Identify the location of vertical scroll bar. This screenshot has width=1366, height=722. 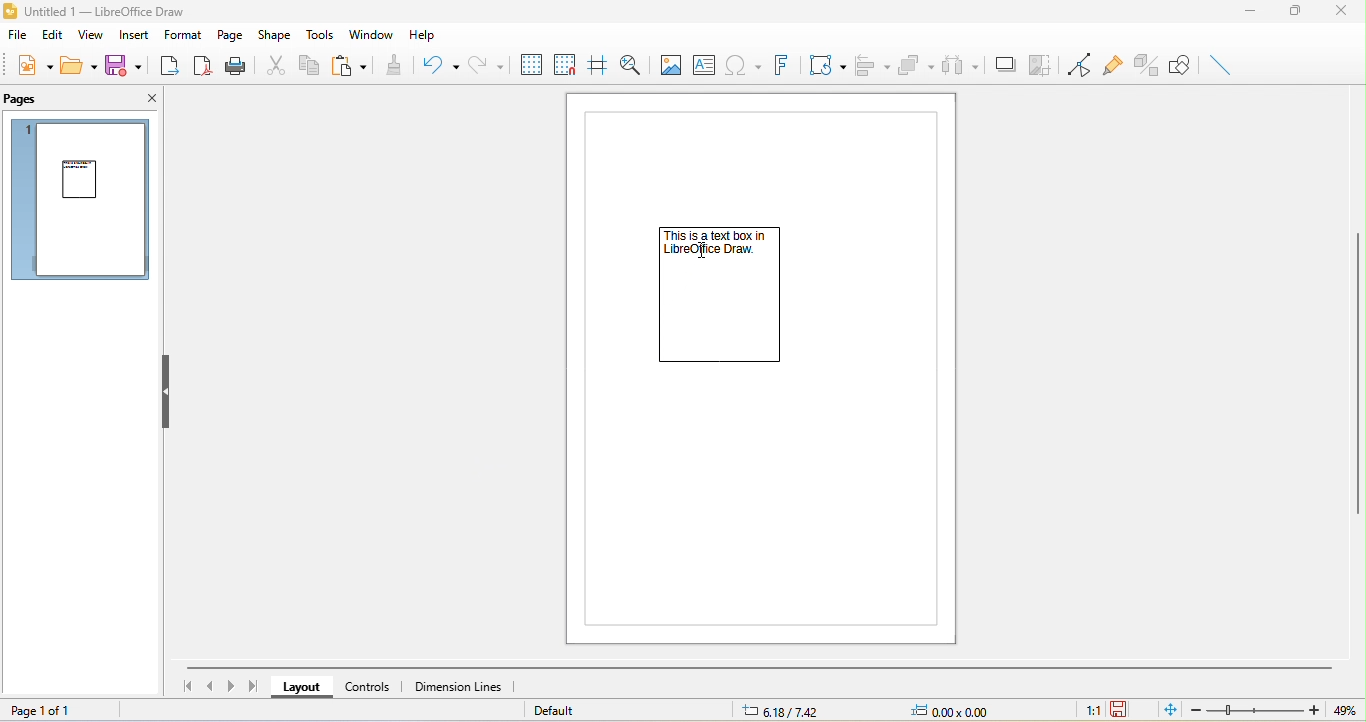
(1357, 370).